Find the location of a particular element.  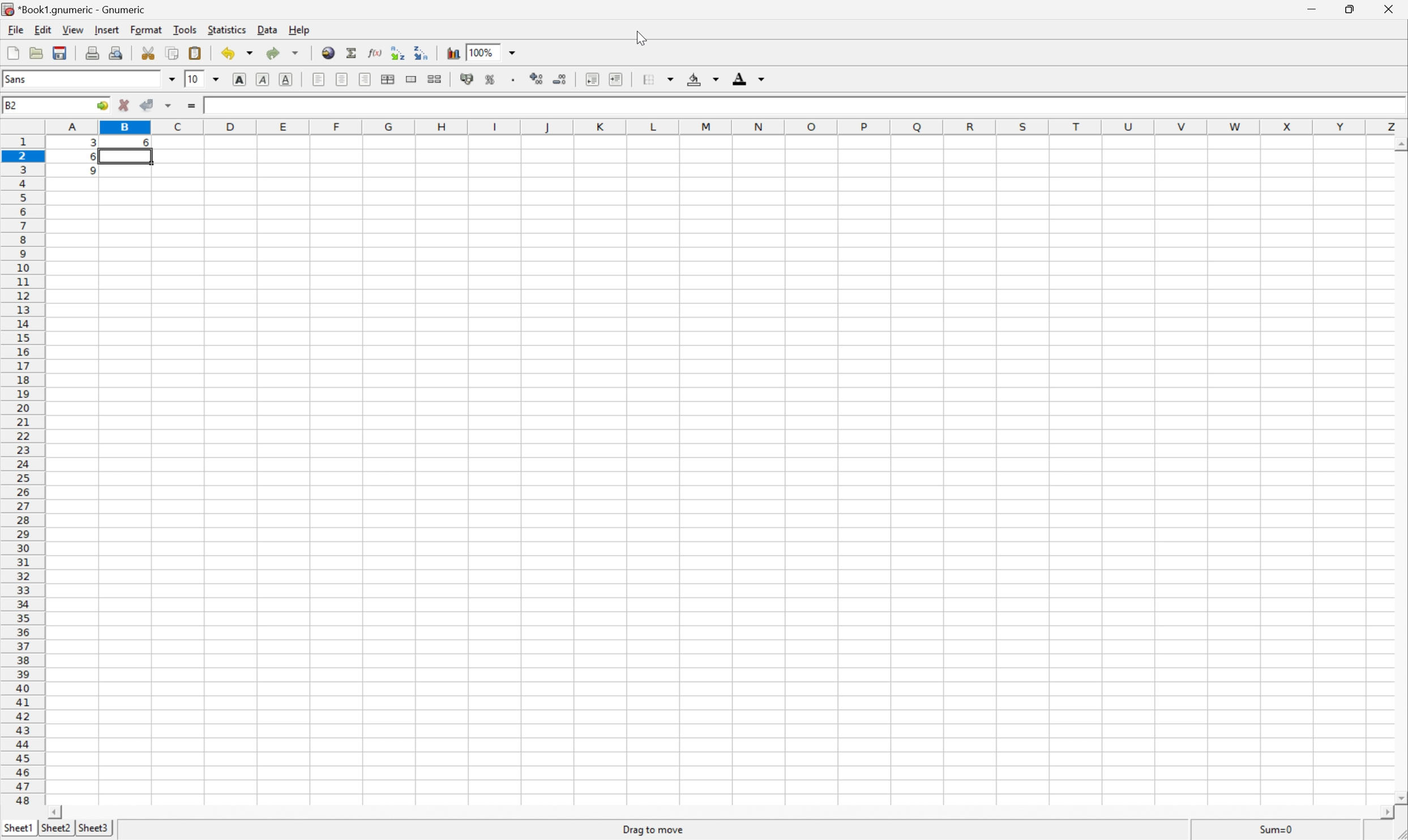

Cursor is located at coordinates (636, 36).